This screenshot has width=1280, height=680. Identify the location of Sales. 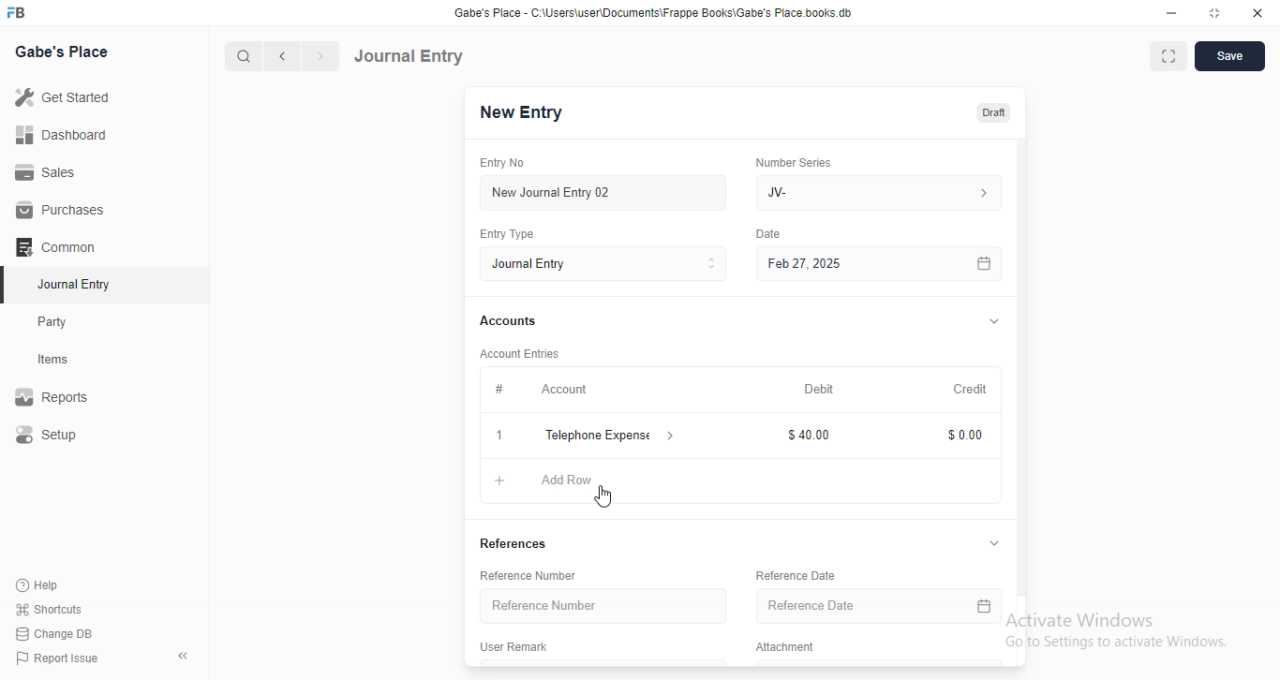
(49, 174).